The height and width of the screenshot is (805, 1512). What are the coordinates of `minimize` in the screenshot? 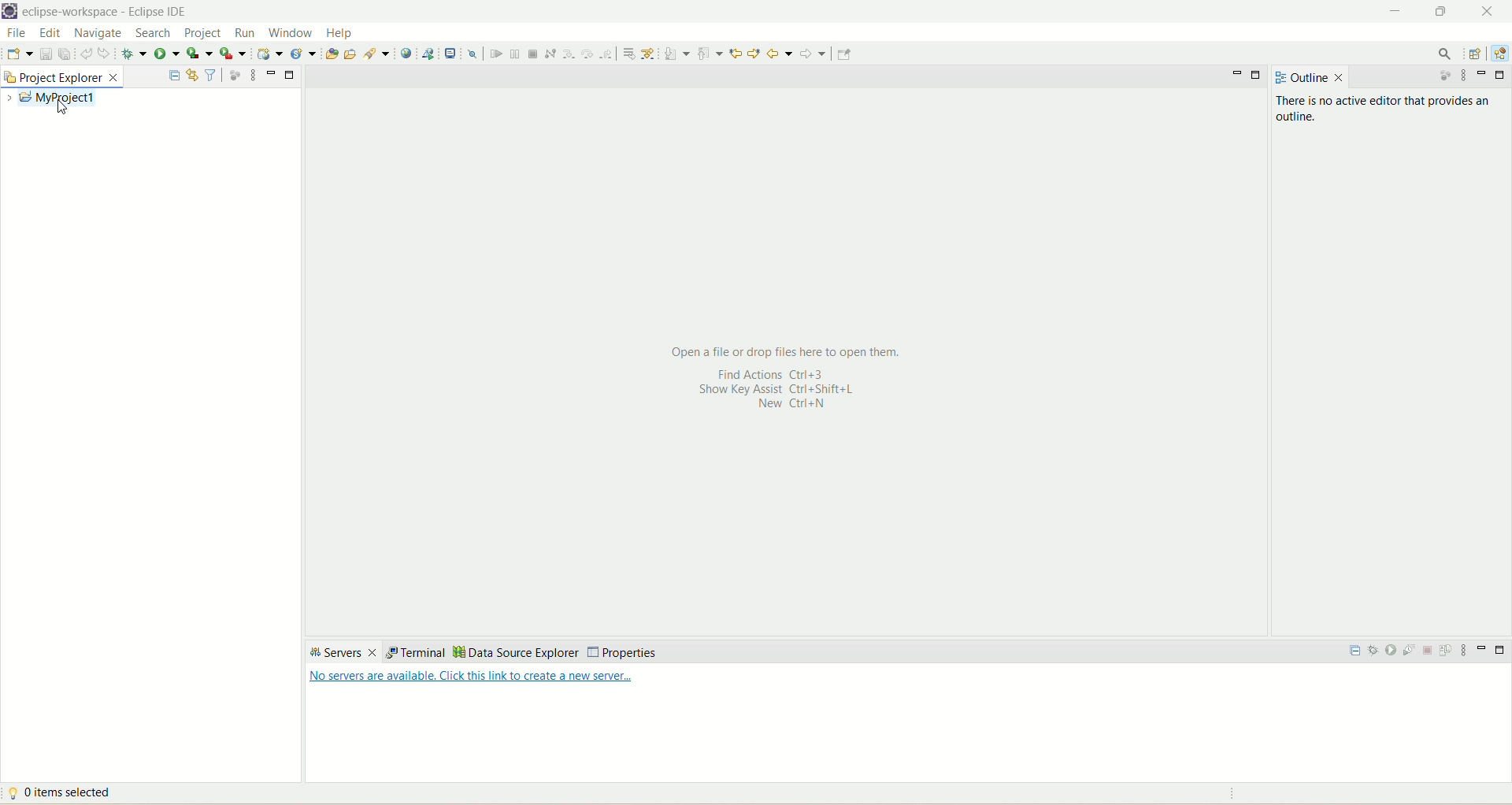 It's located at (291, 74).